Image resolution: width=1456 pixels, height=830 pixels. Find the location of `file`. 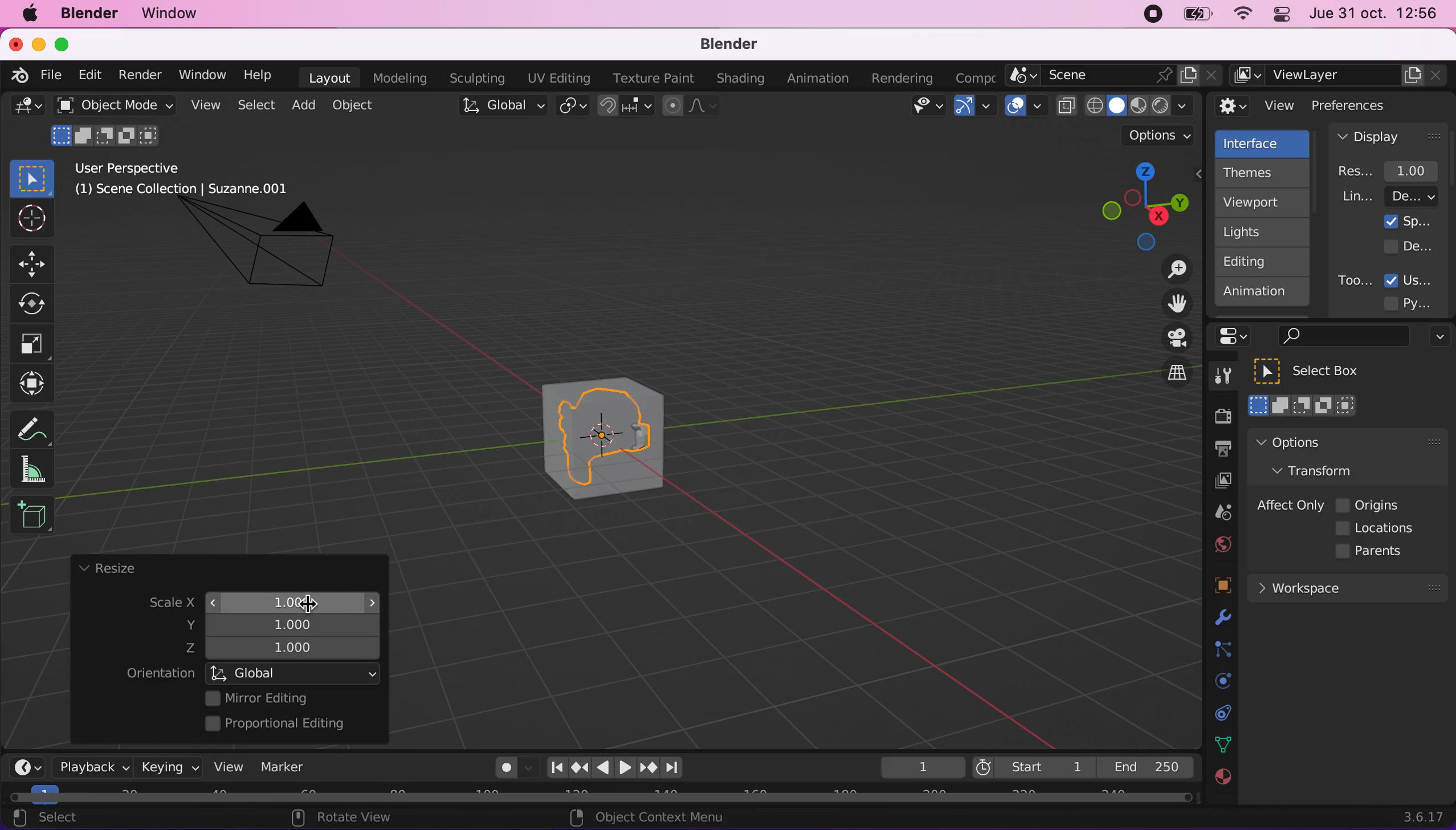

file is located at coordinates (49, 75).